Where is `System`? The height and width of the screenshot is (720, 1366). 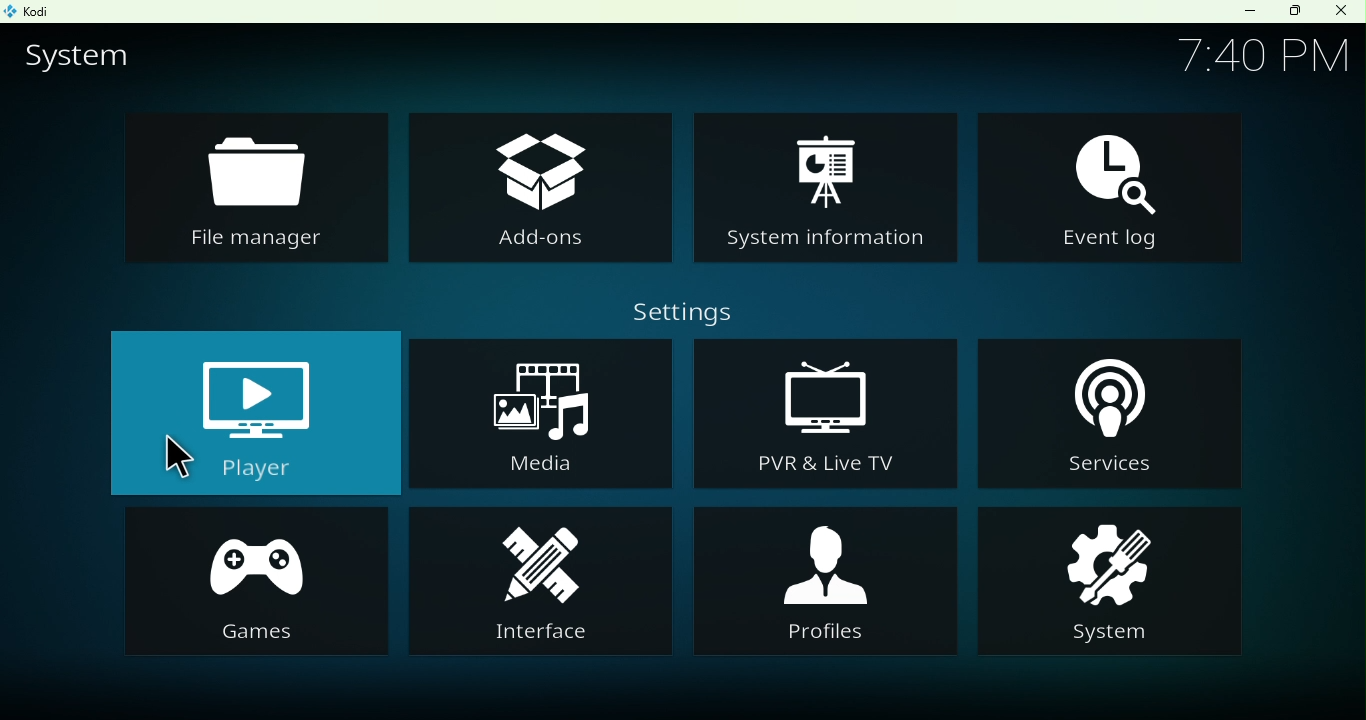
System is located at coordinates (82, 59).